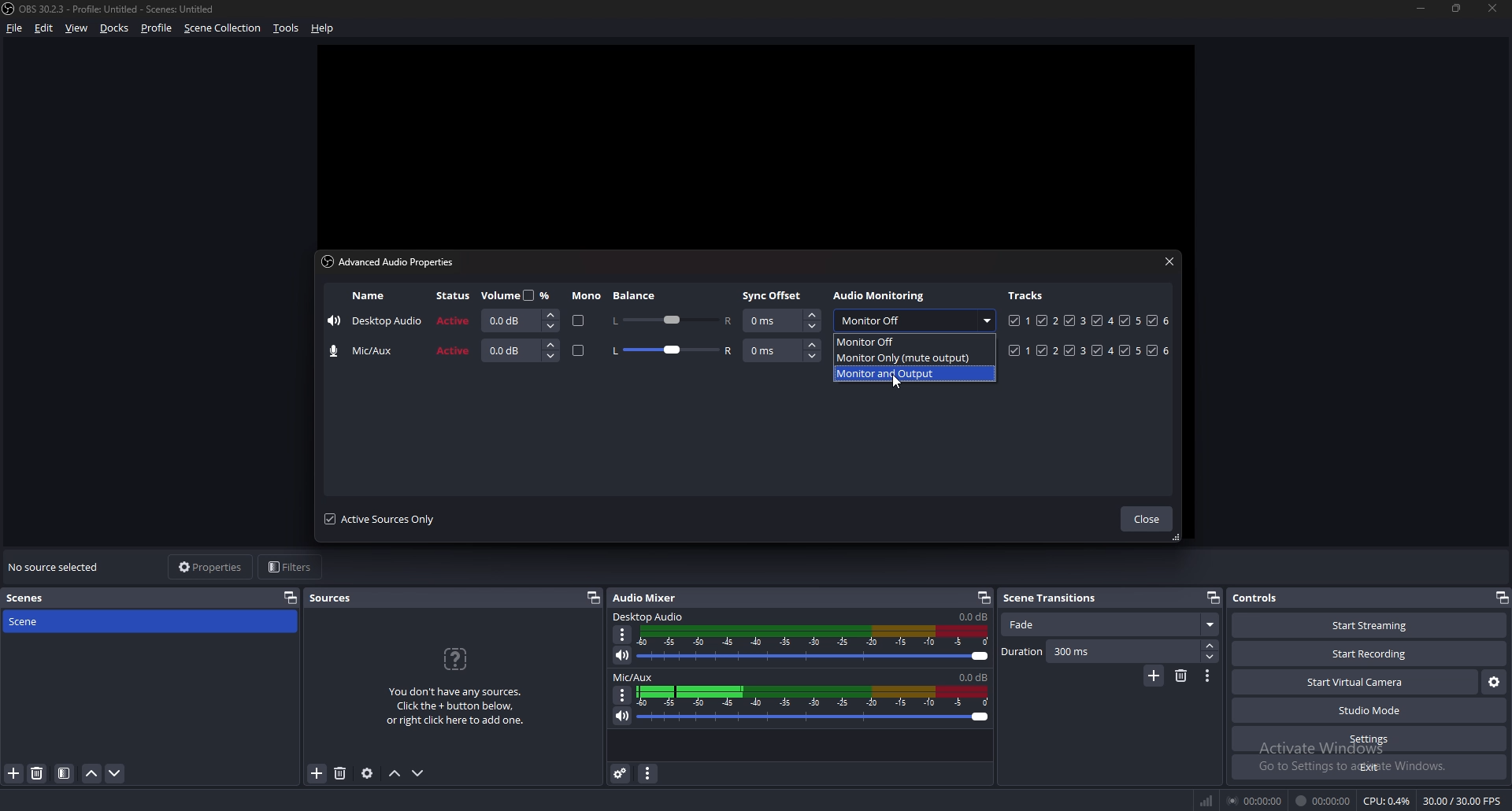  What do you see at coordinates (517, 320) in the screenshot?
I see `volume input` at bounding box center [517, 320].